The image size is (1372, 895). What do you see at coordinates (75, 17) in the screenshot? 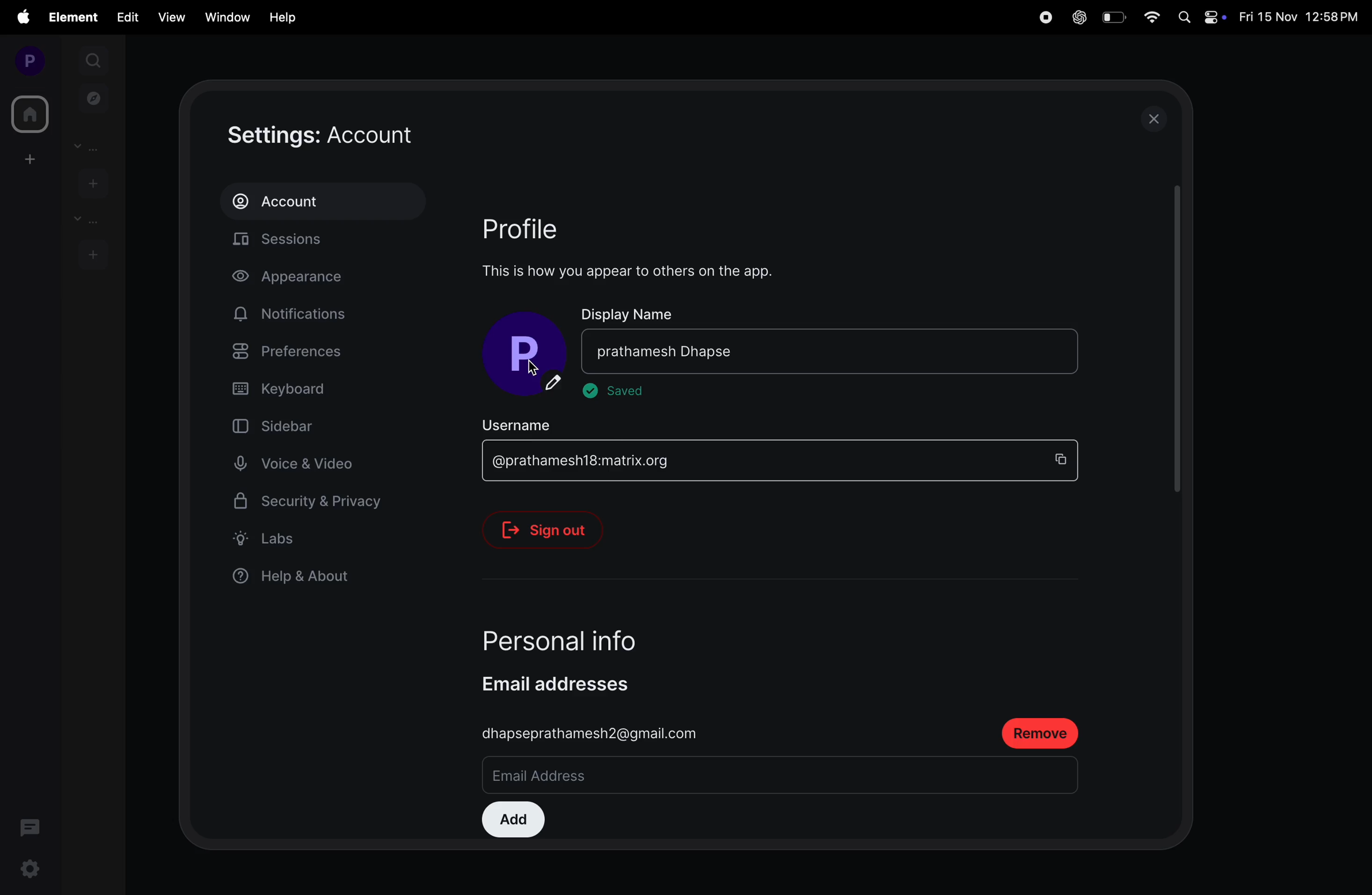
I see `element` at bounding box center [75, 17].